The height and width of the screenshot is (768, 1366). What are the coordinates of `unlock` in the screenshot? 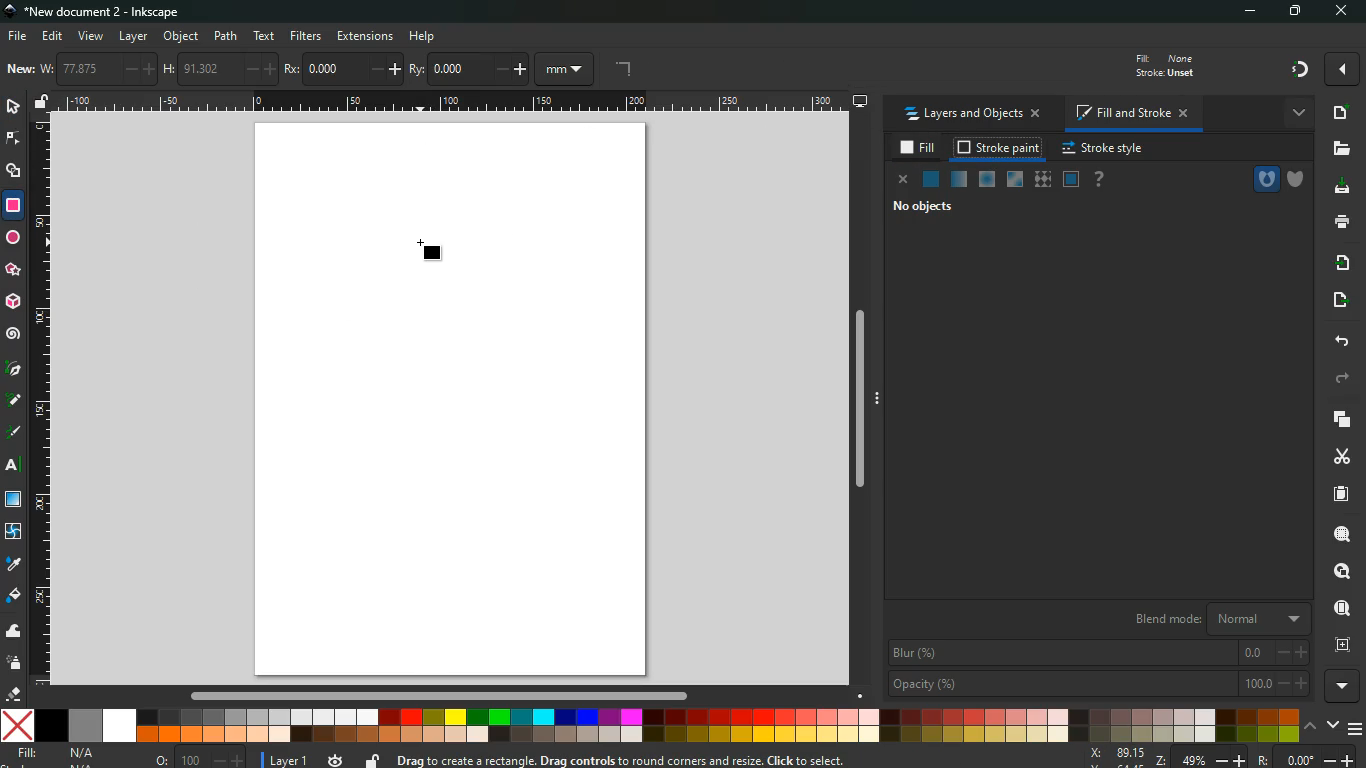 It's located at (45, 104).